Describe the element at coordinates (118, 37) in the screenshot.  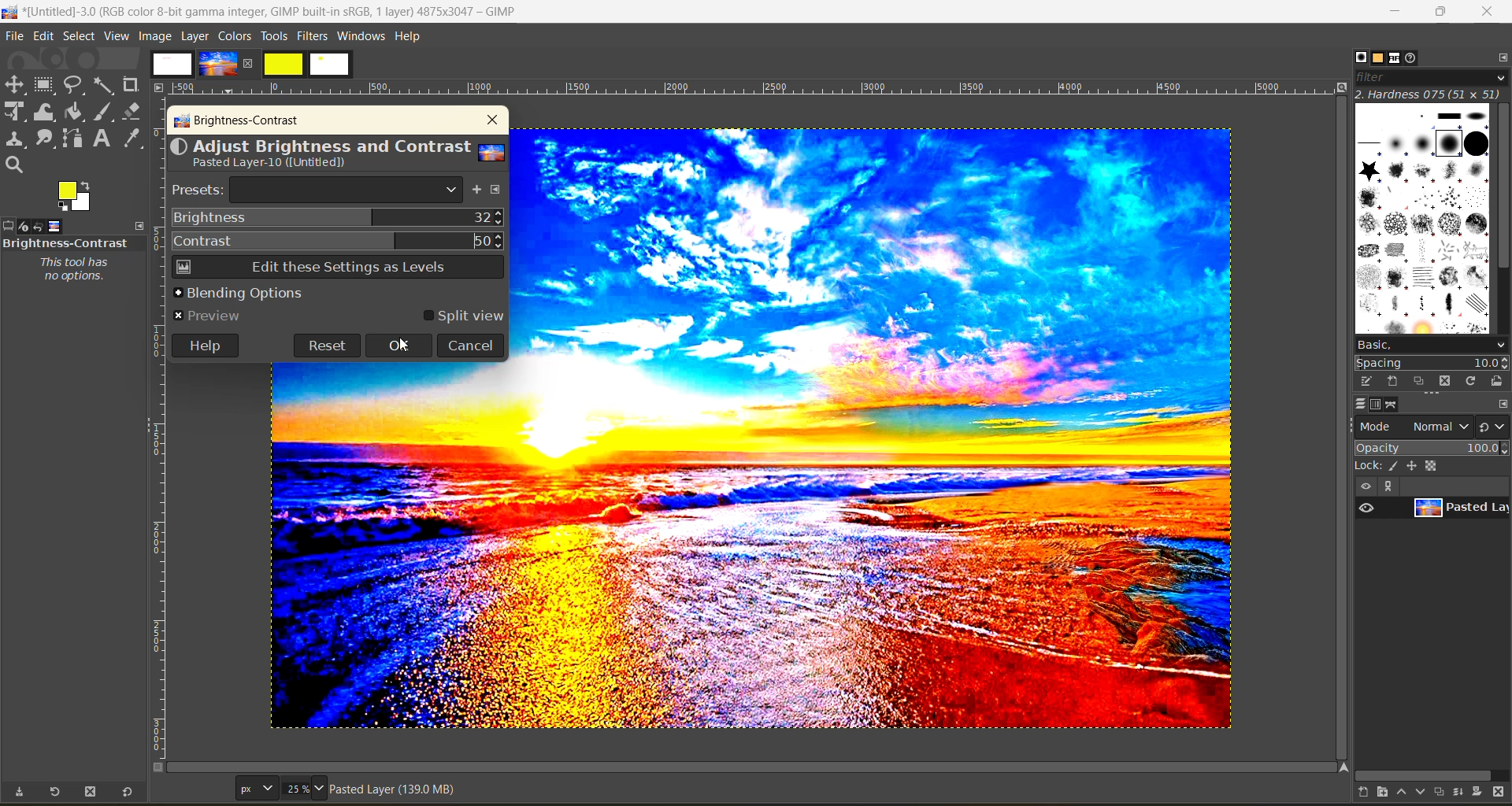
I see `view` at that location.